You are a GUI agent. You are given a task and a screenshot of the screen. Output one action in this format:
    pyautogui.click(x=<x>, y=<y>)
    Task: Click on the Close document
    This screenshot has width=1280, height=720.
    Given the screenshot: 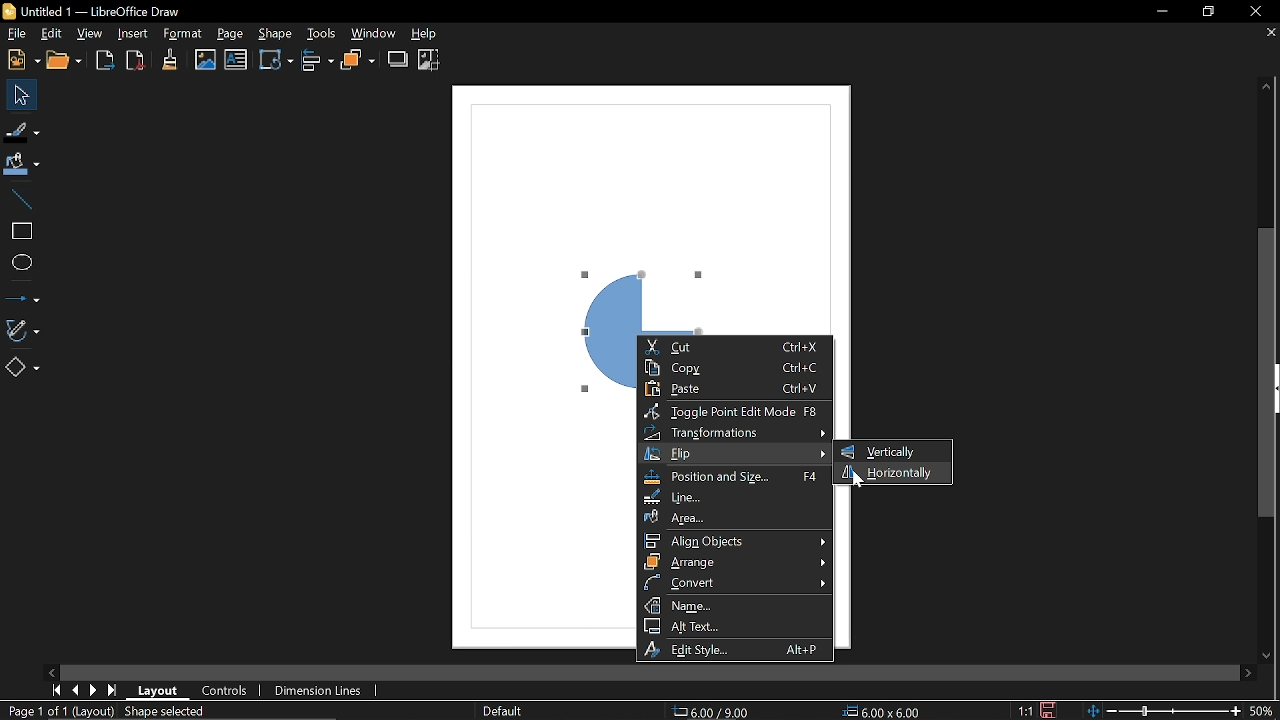 What is the action you would take?
    pyautogui.click(x=1267, y=36)
    